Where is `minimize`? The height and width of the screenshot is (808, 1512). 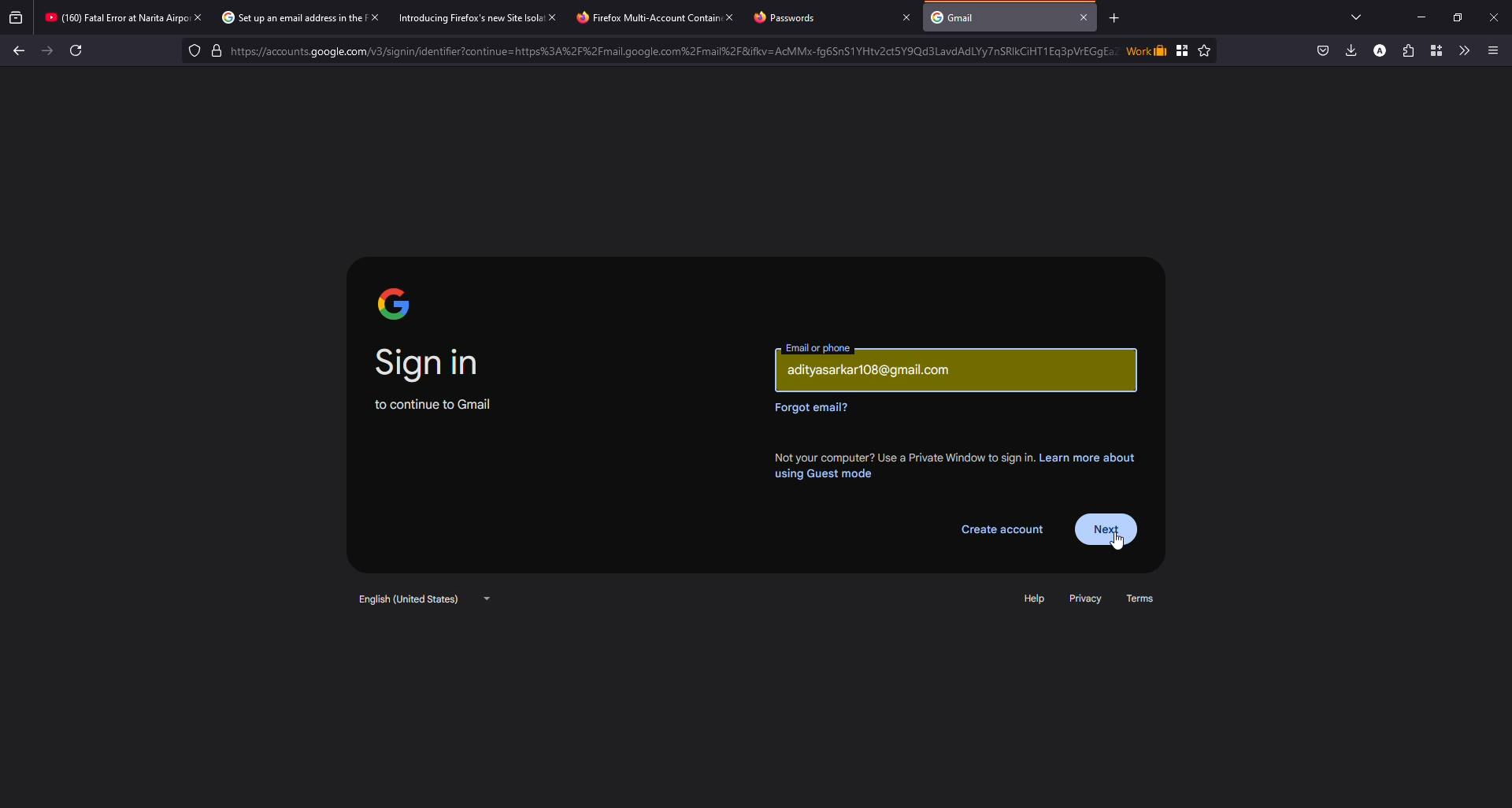
minimize is located at coordinates (1414, 17).